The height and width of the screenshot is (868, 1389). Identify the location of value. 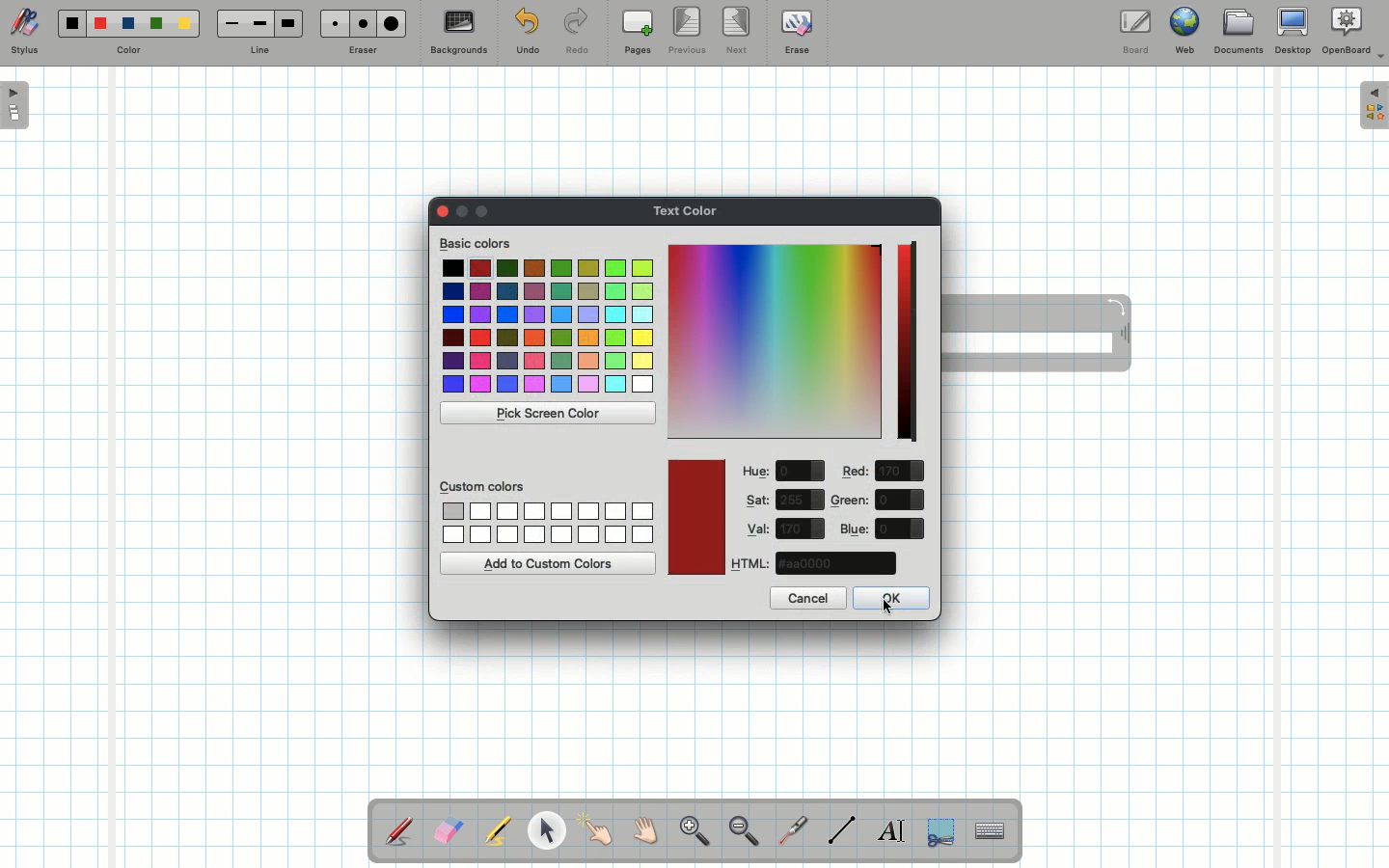
(801, 500).